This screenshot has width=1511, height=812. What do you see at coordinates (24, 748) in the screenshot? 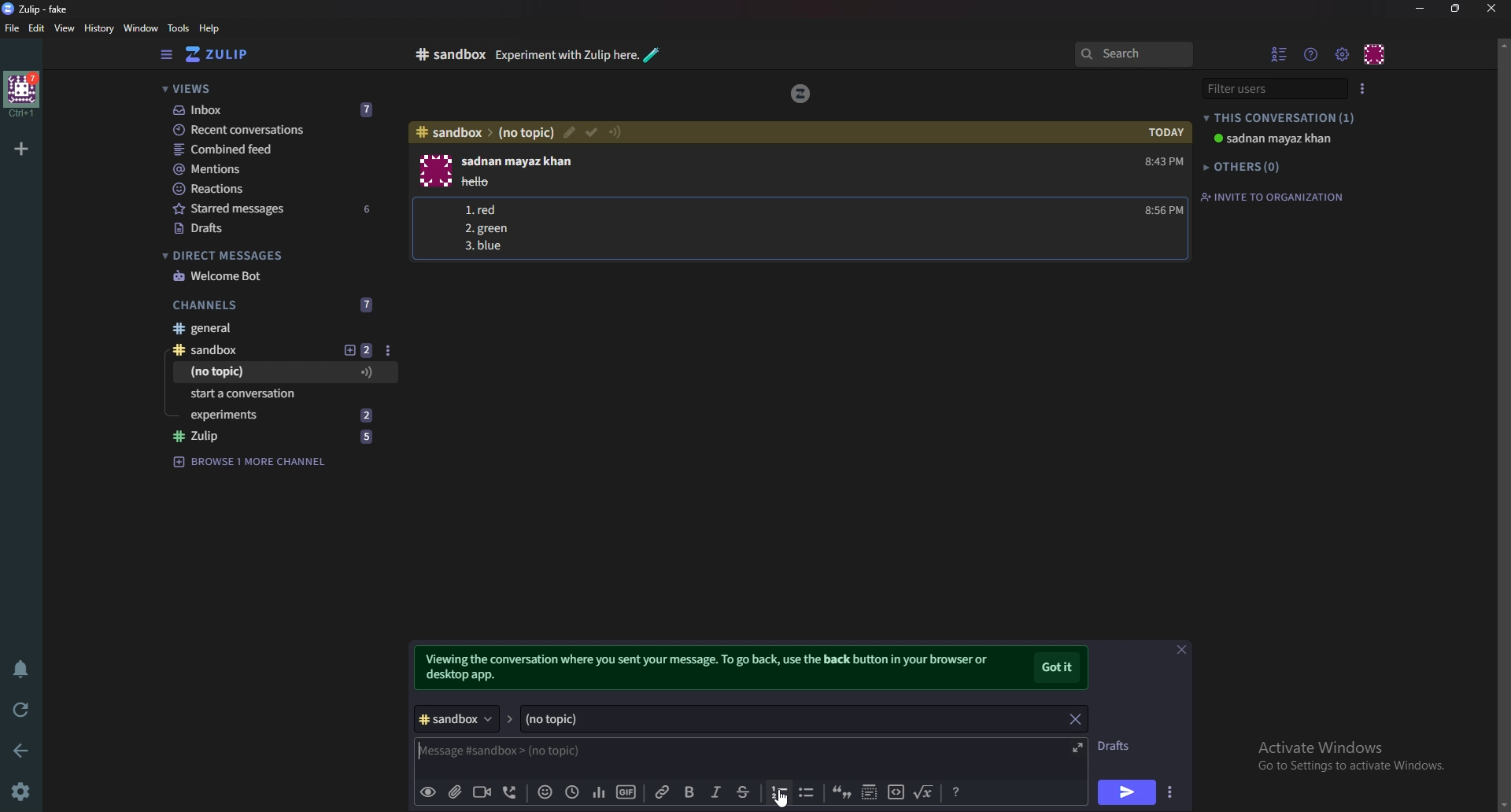
I see `back` at bounding box center [24, 748].